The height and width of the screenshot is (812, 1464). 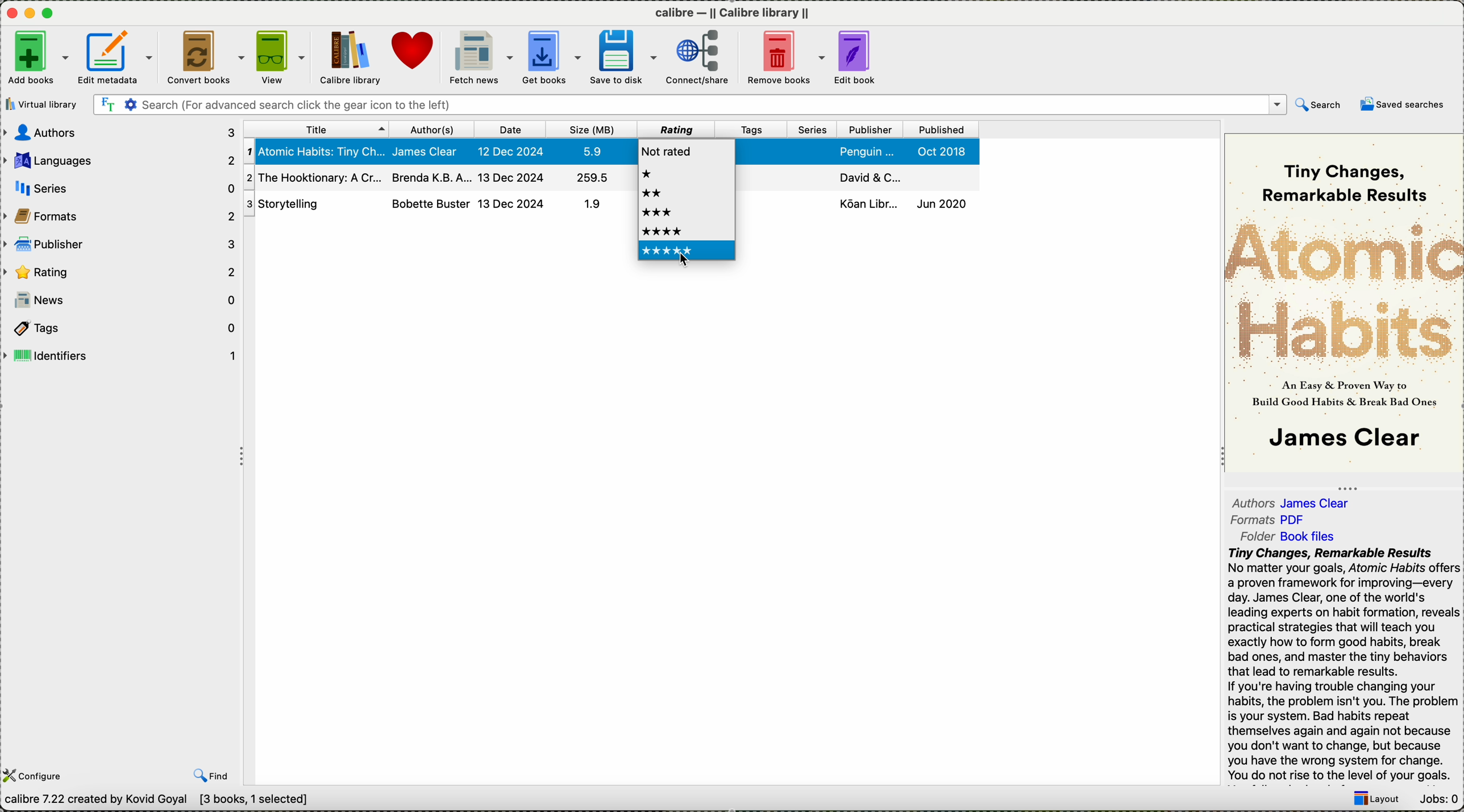 I want to click on series, so click(x=814, y=151).